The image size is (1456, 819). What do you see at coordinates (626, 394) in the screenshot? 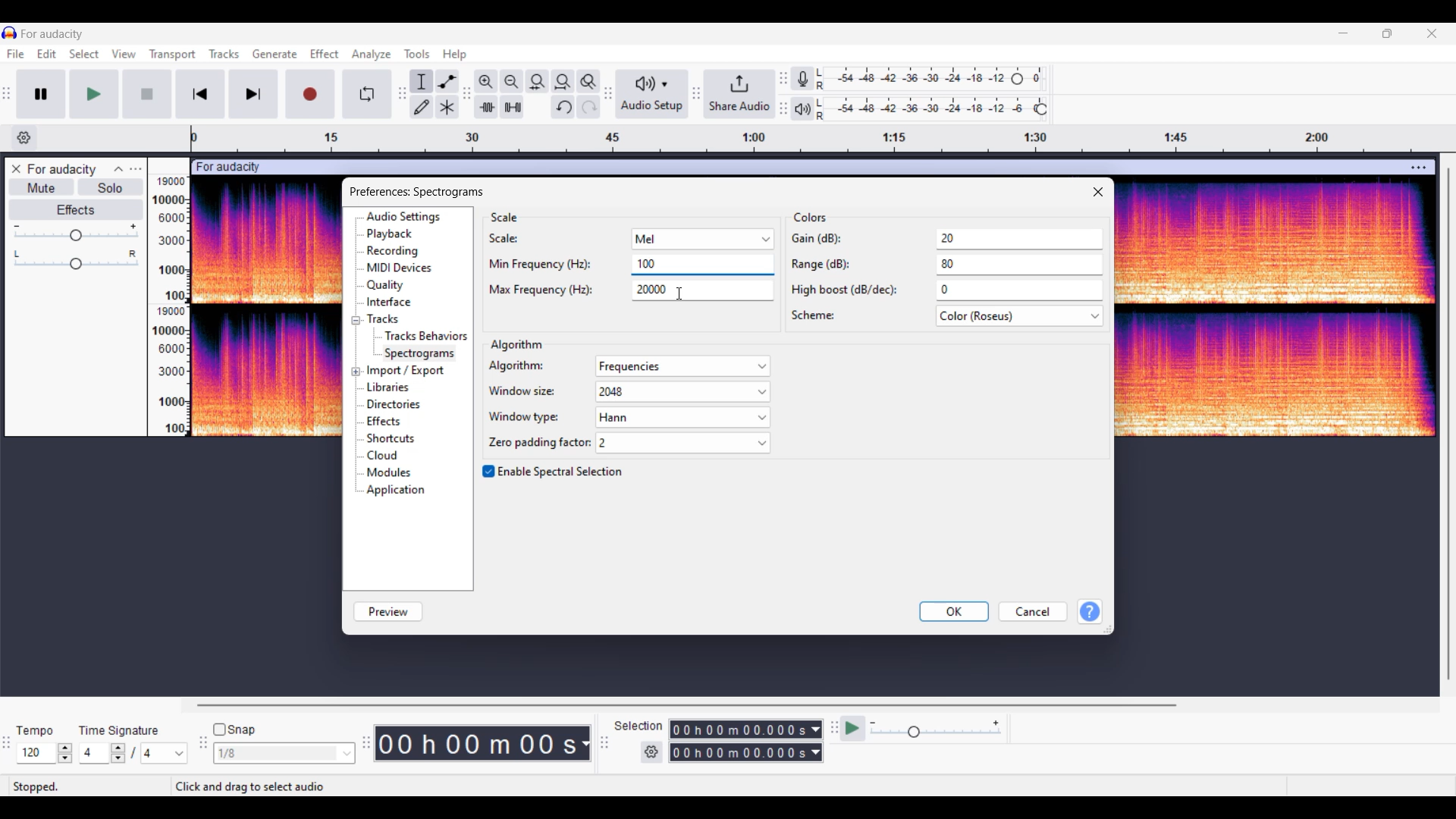
I see `window size` at bounding box center [626, 394].